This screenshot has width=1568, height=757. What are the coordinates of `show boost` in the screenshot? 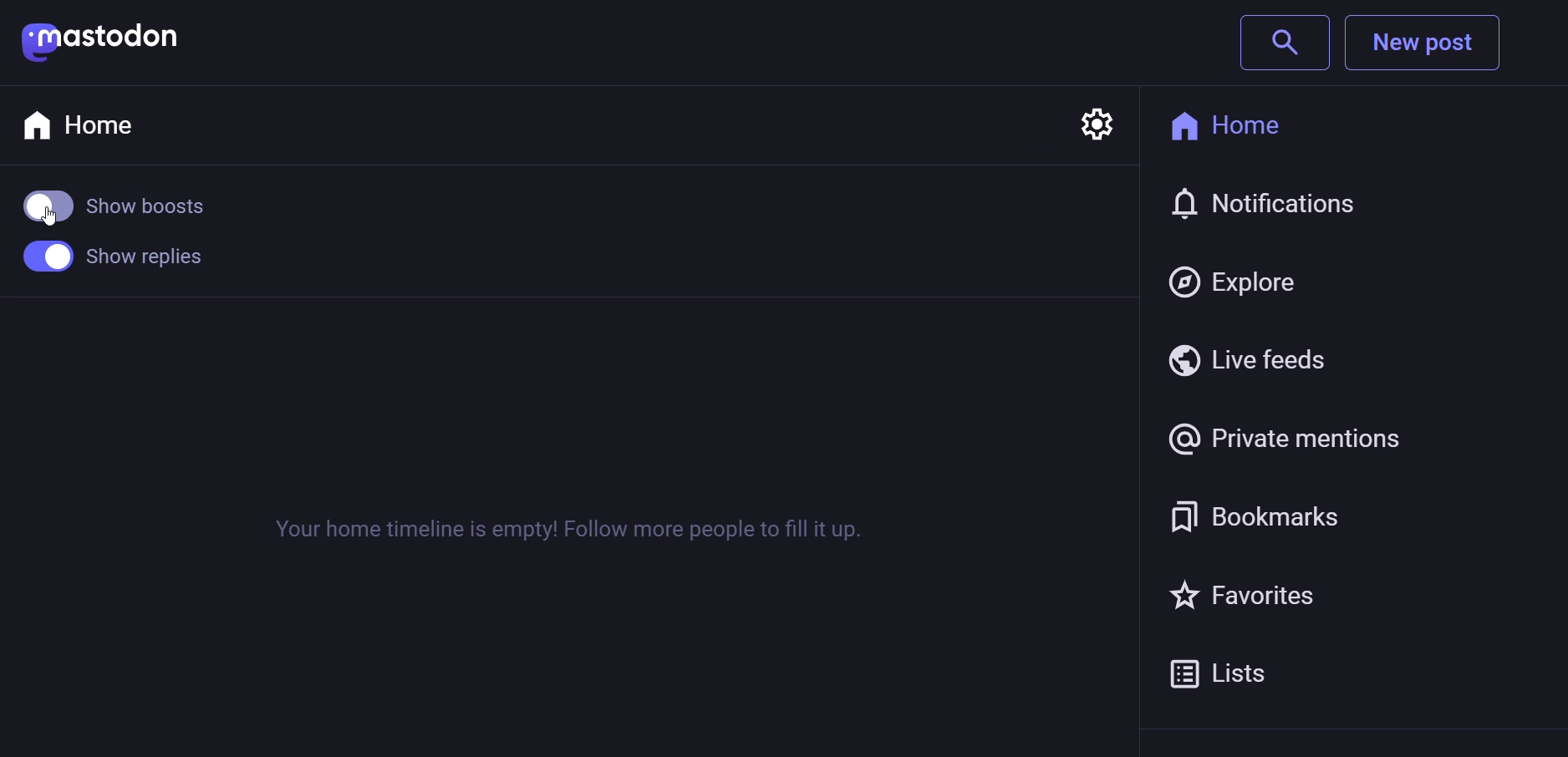 It's located at (120, 211).